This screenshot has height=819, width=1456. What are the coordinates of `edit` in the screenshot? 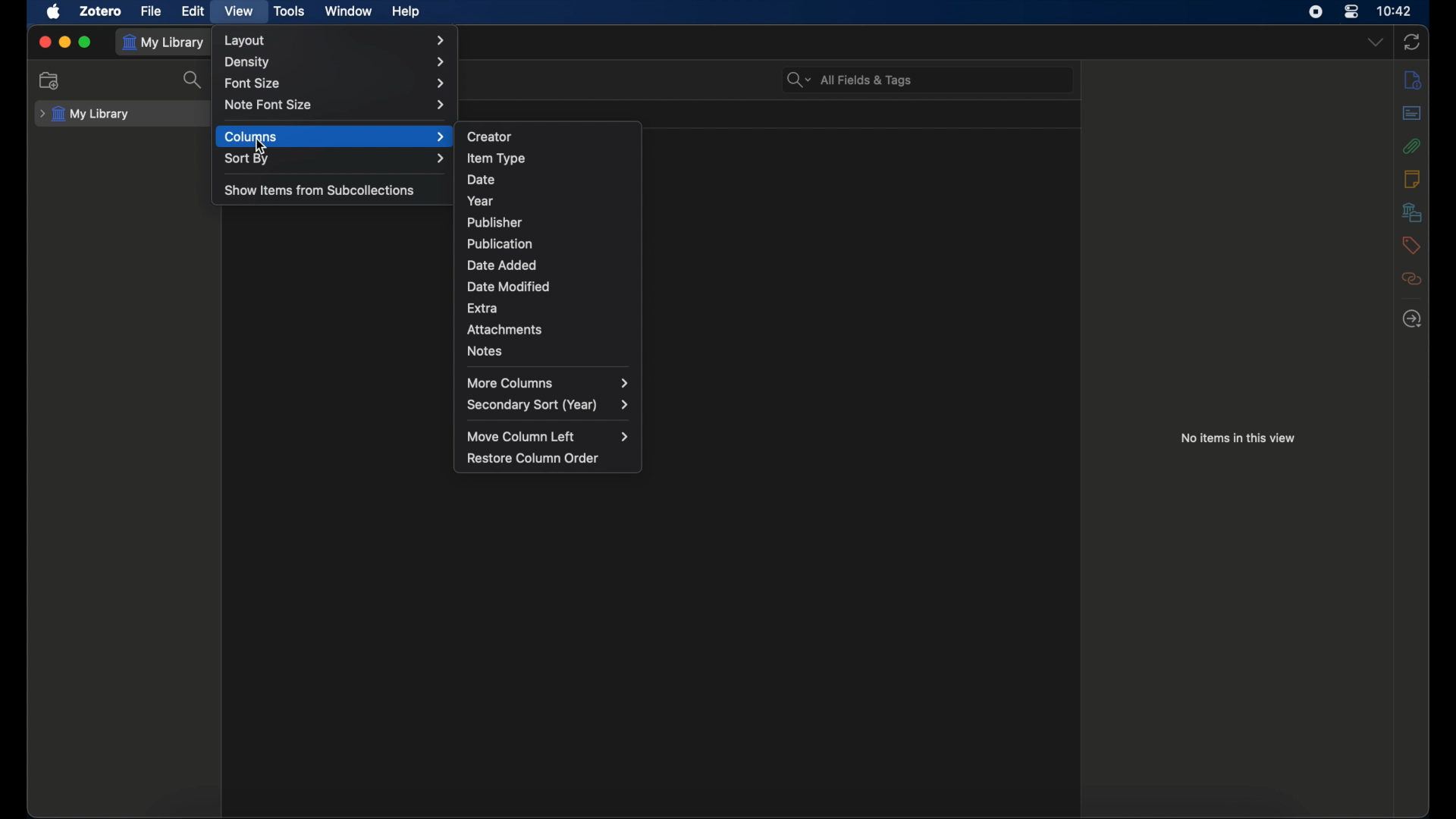 It's located at (192, 11).